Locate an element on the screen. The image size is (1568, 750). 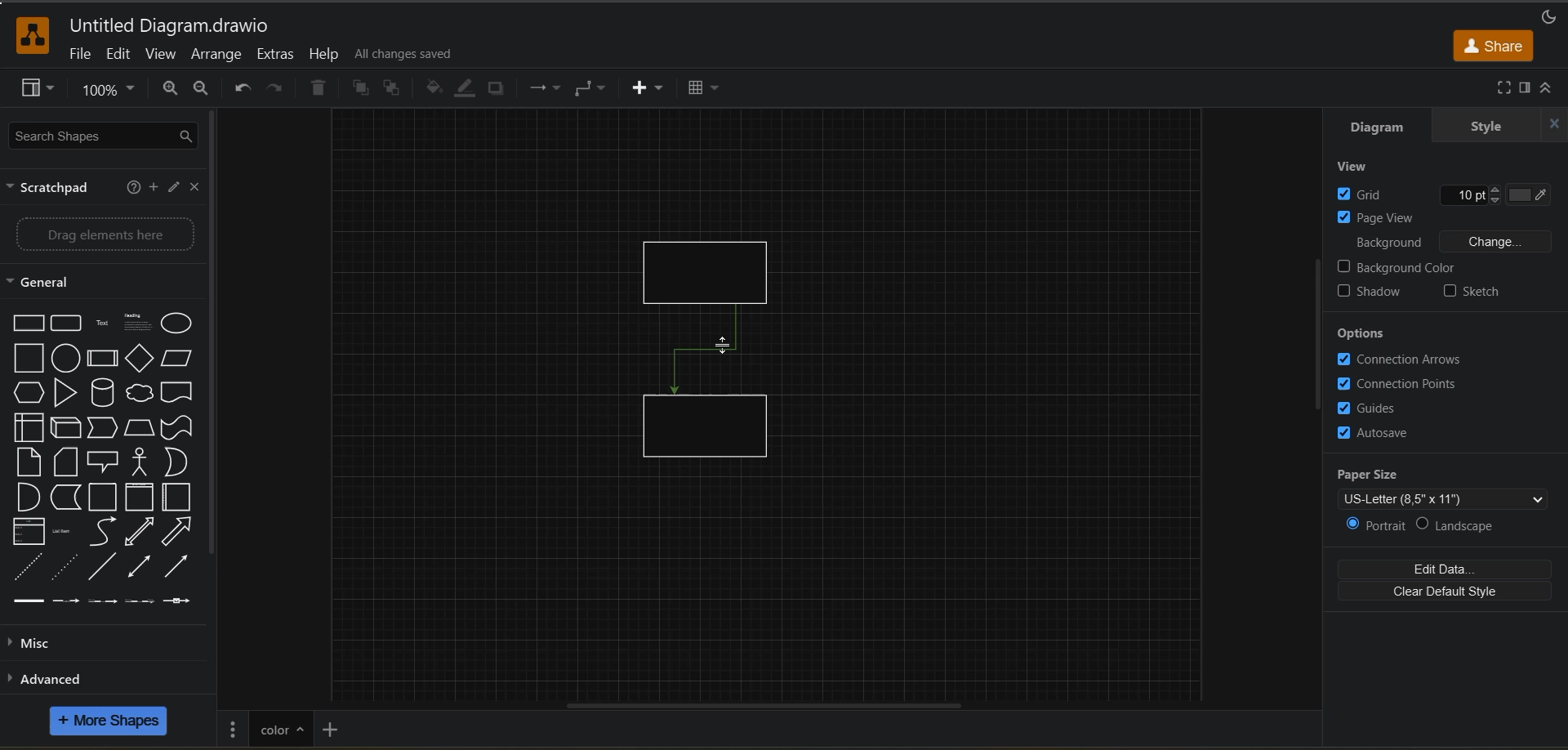
Callout is located at coordinates (108, 461).